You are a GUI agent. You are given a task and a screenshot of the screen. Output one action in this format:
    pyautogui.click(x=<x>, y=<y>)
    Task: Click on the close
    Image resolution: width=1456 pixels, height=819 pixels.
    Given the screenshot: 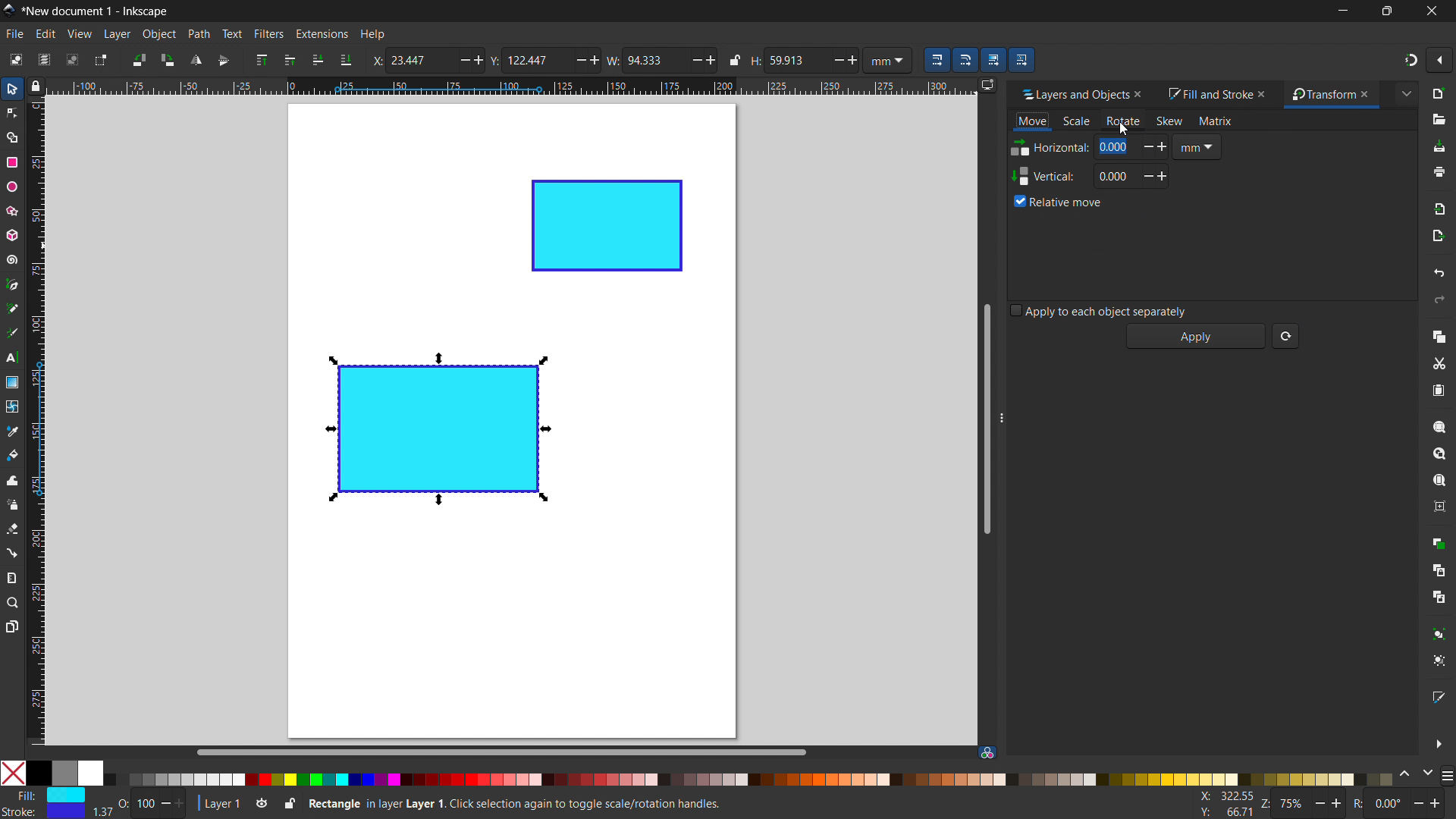 What is the action you would take?
    pyautogui.click(x=1430, y=11)
    